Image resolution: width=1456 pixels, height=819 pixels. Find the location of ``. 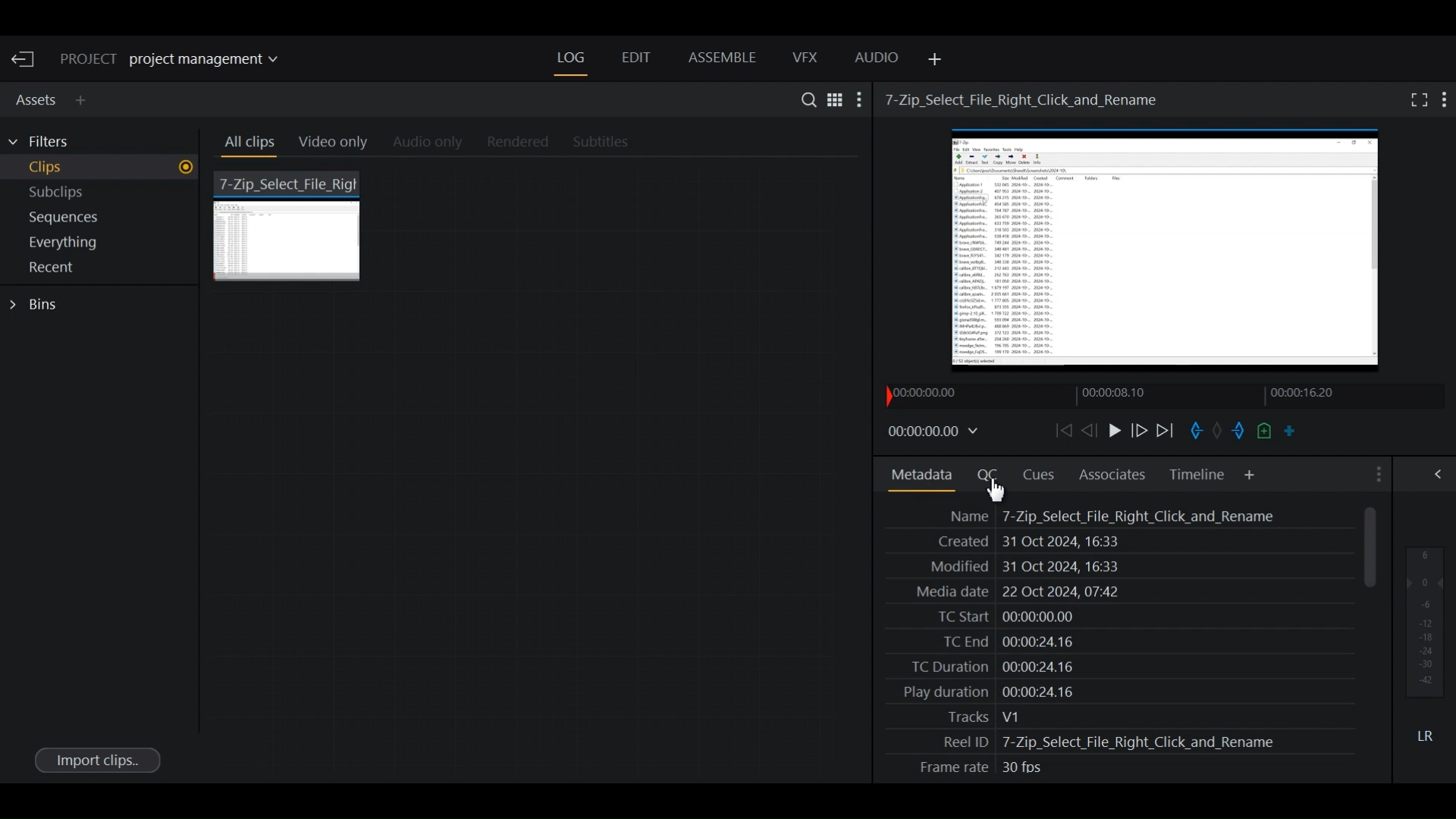

 is located at coordinates (990, 491).